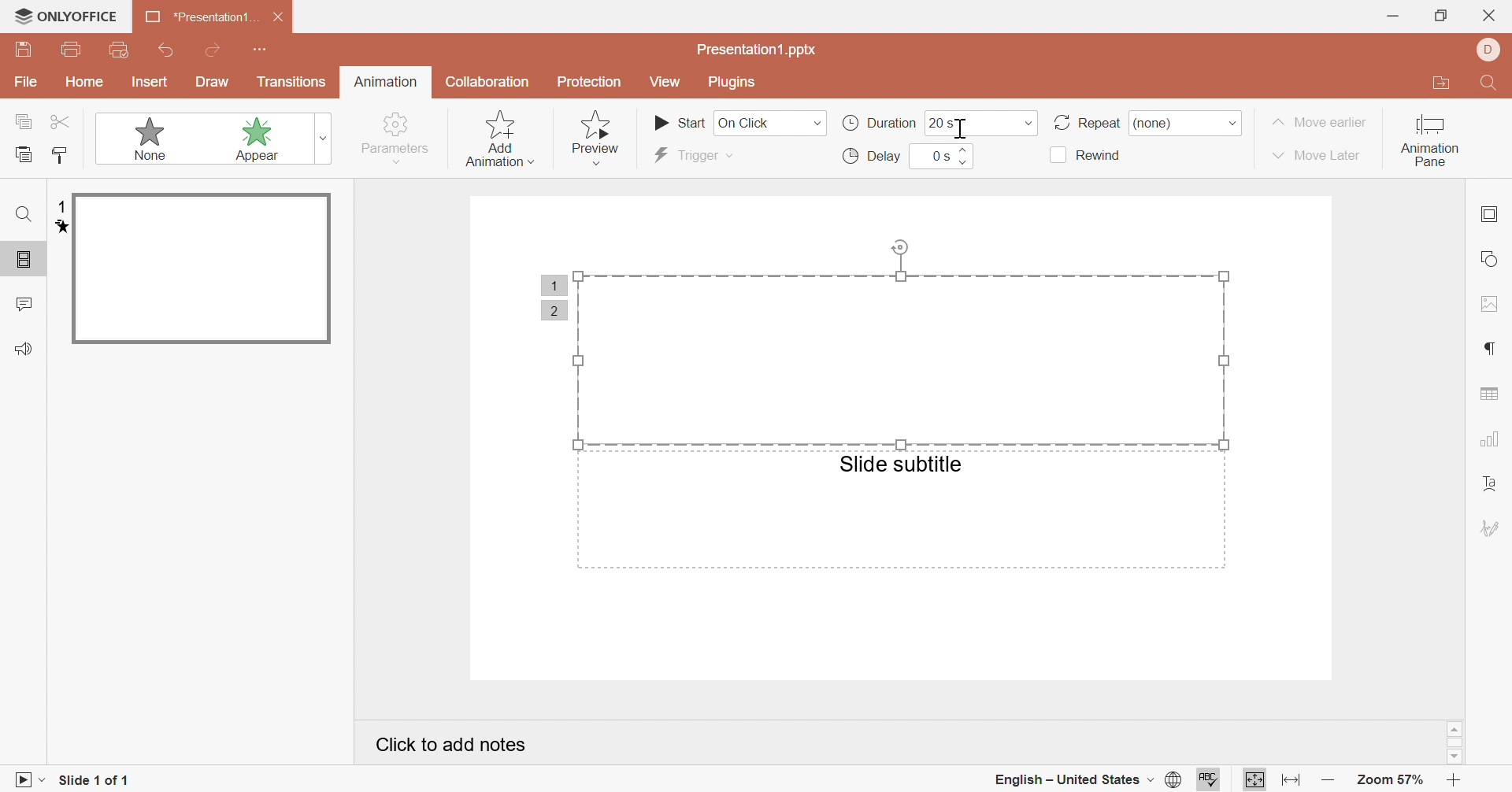  What do you see at coordinates (1439, 15) in the screenshot?
I see `restore down` at bounding box center [1439, 15].